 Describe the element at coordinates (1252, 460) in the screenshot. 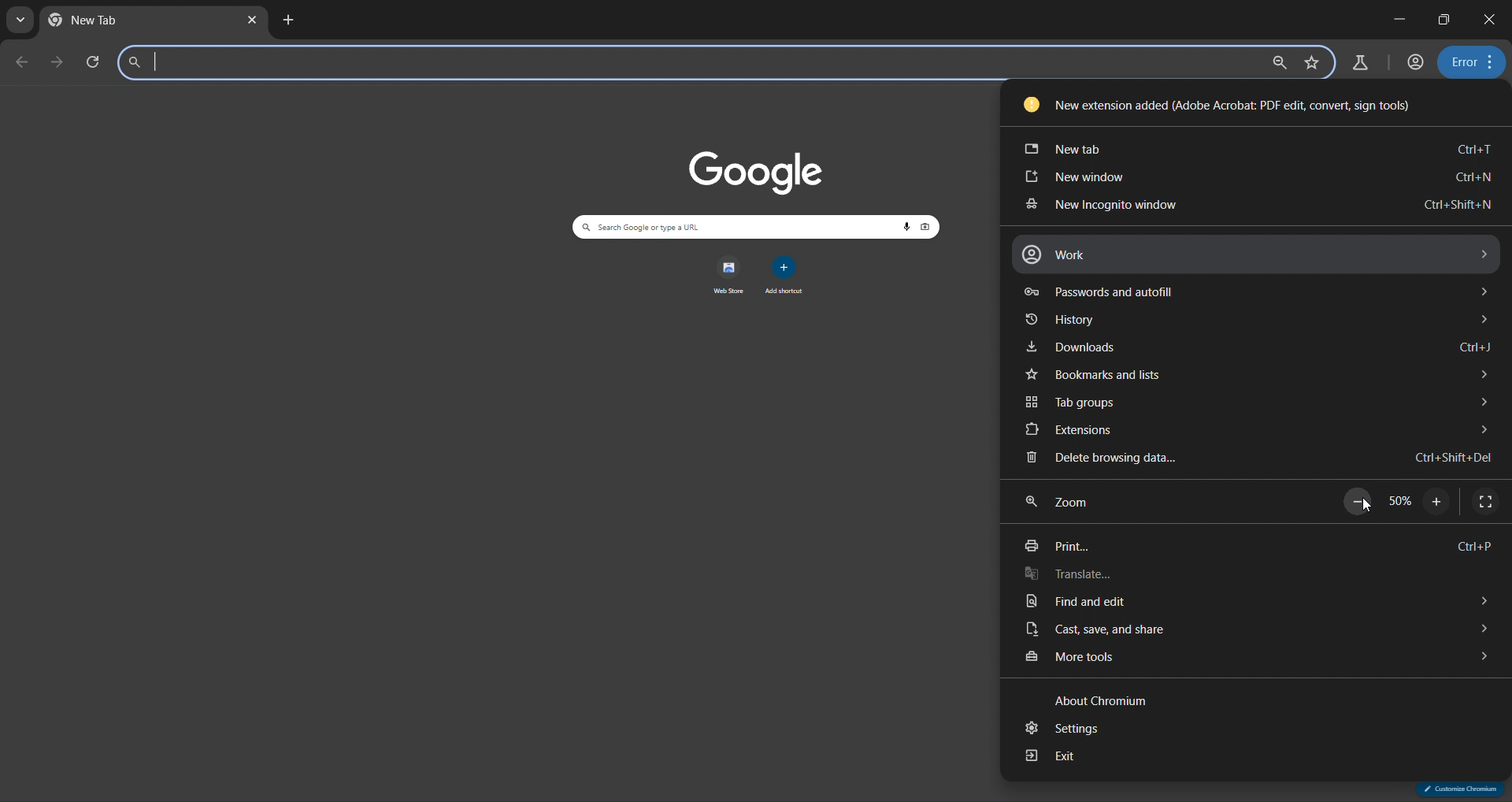

I see `delete browsing data` at that location.